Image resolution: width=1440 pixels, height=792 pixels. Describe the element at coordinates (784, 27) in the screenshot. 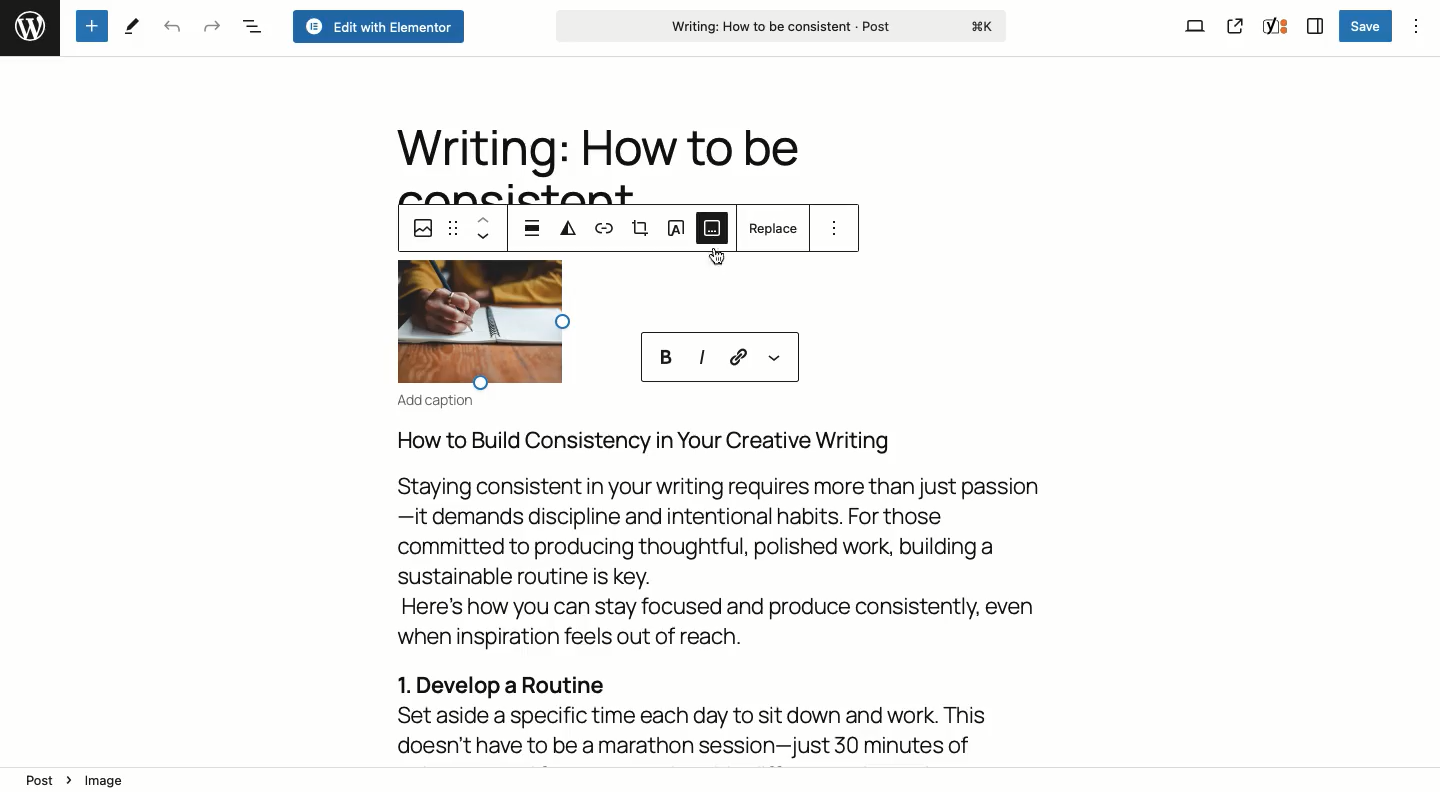

I see `Writing: How to be consistent - Post ` at that location.